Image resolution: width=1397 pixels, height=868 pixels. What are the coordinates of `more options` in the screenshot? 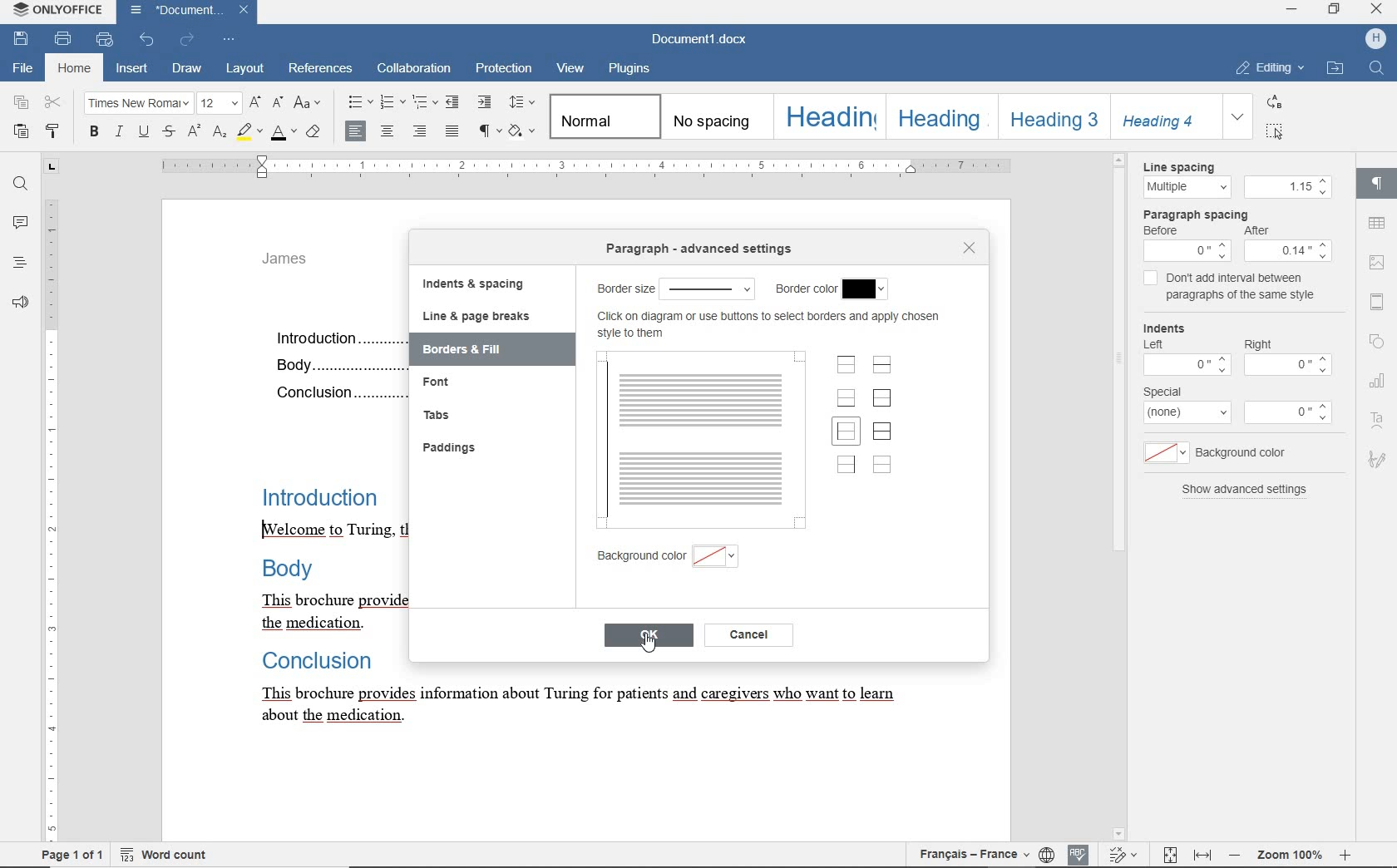 It's located at (1163, 453).